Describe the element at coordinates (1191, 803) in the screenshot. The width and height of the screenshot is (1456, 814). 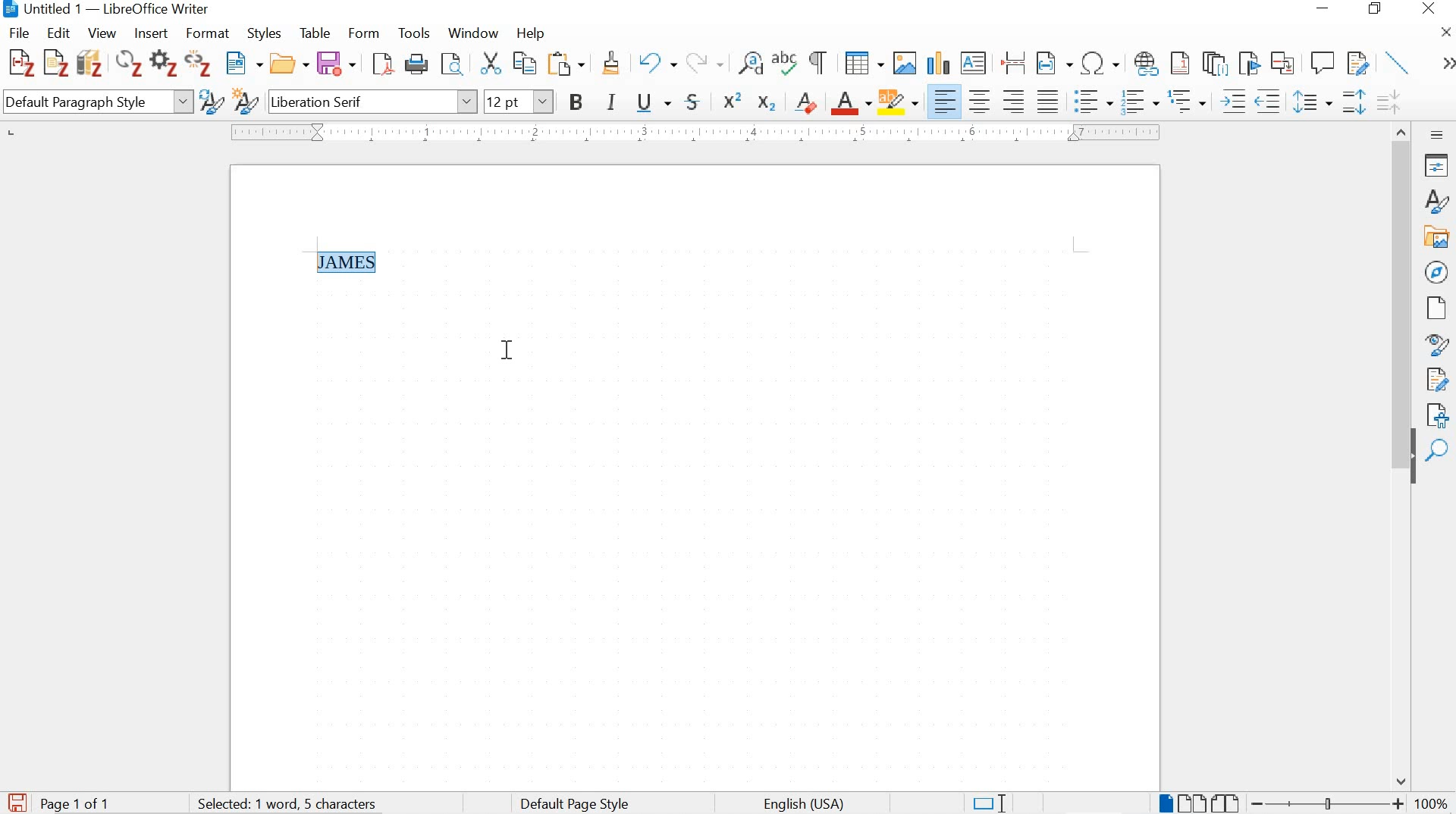
I see `multiple page view` at that location.